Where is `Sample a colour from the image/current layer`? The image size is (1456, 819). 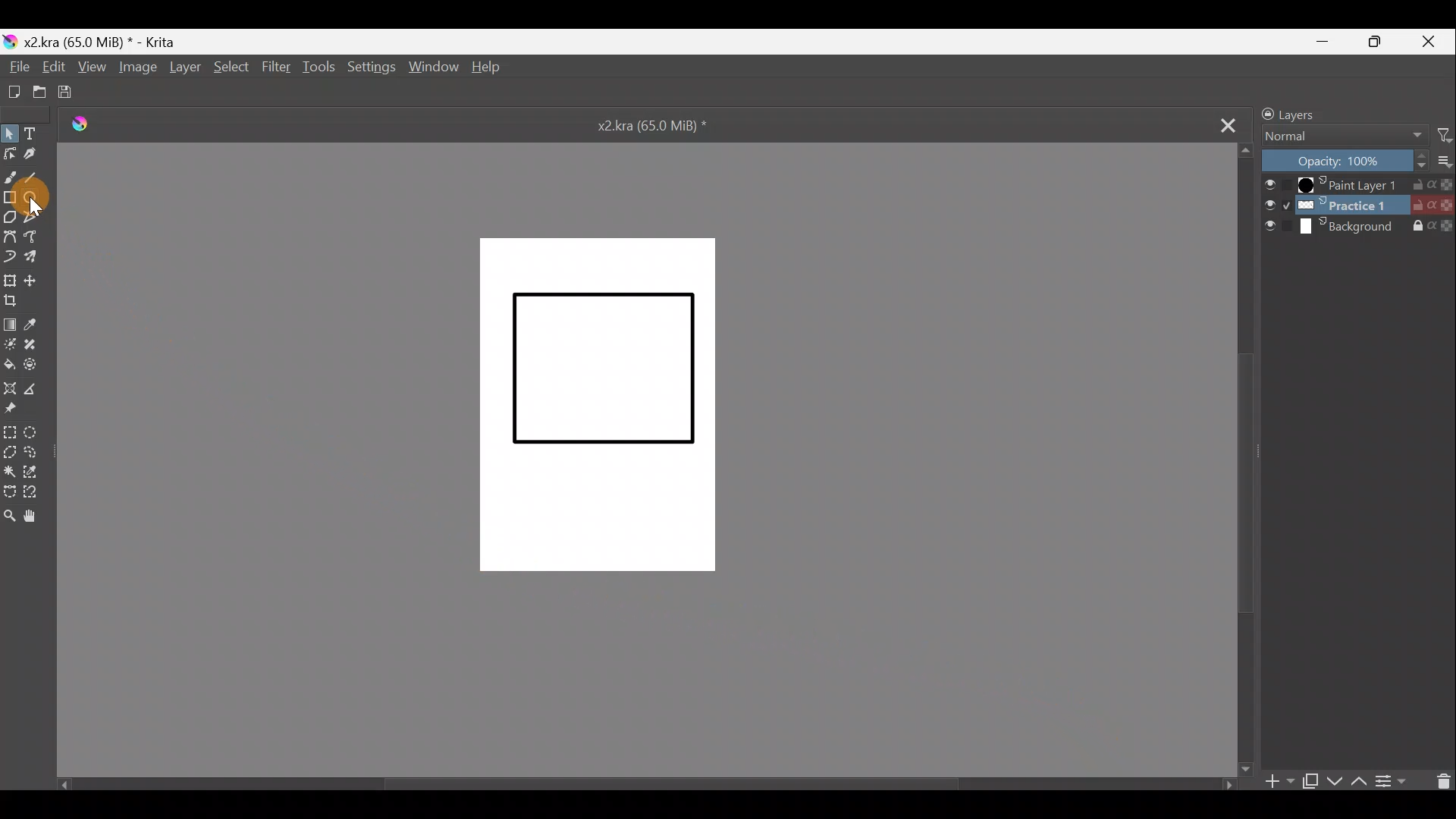
Sample a colour from the image/current layer is located at coordinates (39, 324).